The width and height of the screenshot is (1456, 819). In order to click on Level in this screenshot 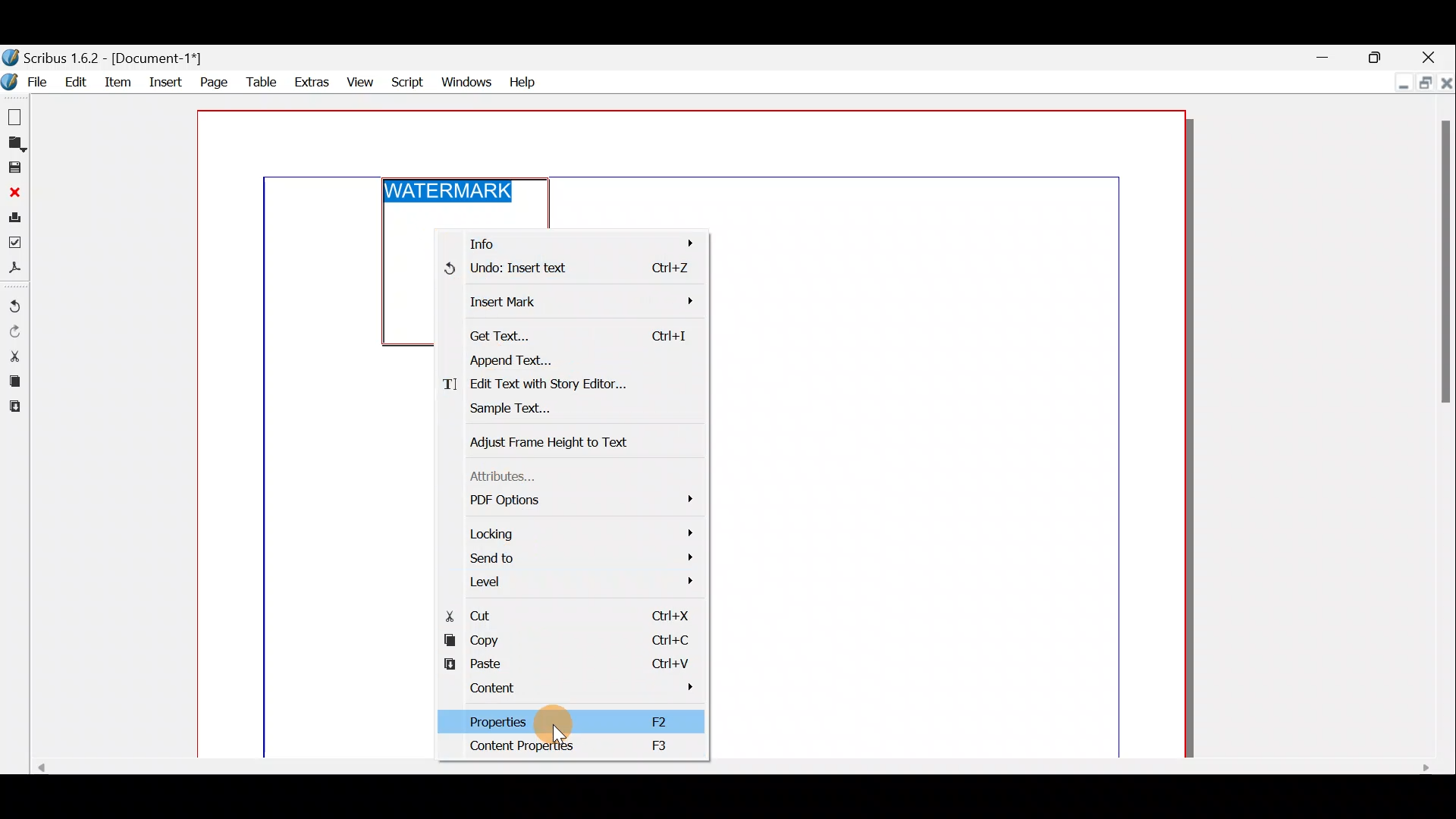, I will do `click(579, 579)`.